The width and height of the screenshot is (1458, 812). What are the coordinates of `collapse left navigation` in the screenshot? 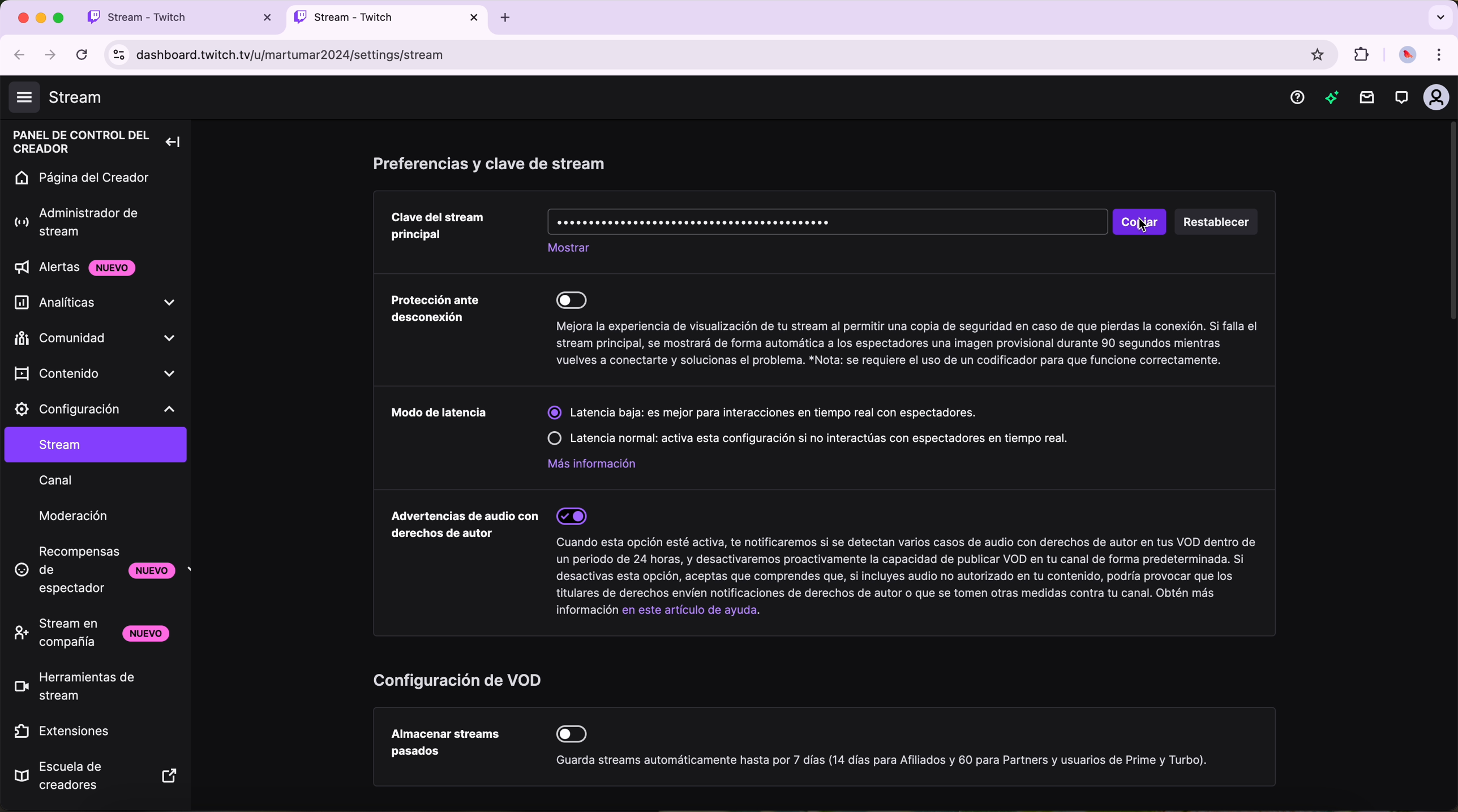 It's located at (176, 142).